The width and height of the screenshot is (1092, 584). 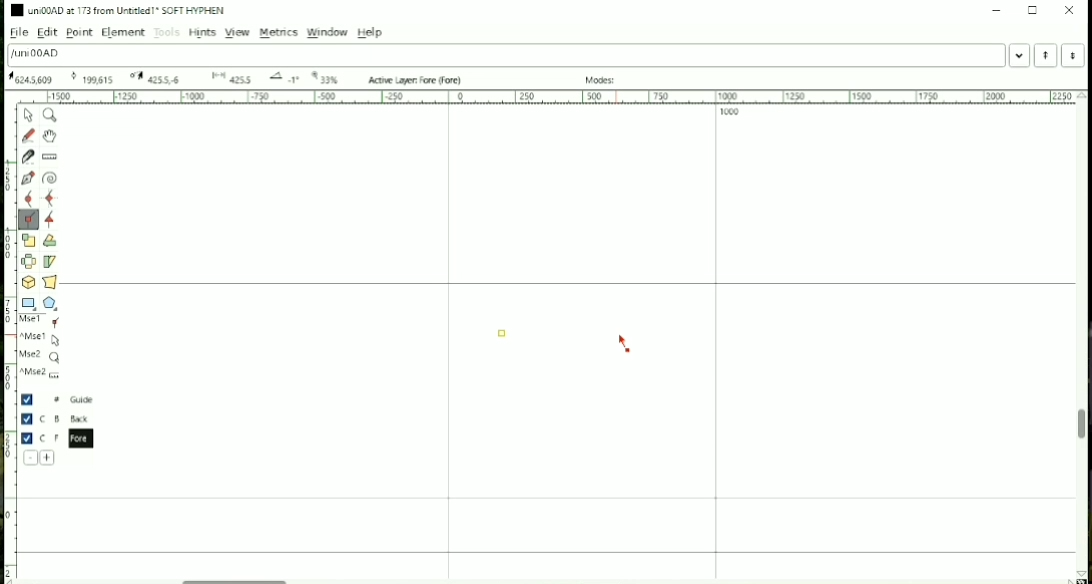 I want to click on 173 Oxad U+00AD "uni00AD" SOFT HYPHEN, so click(x=92, y=78).